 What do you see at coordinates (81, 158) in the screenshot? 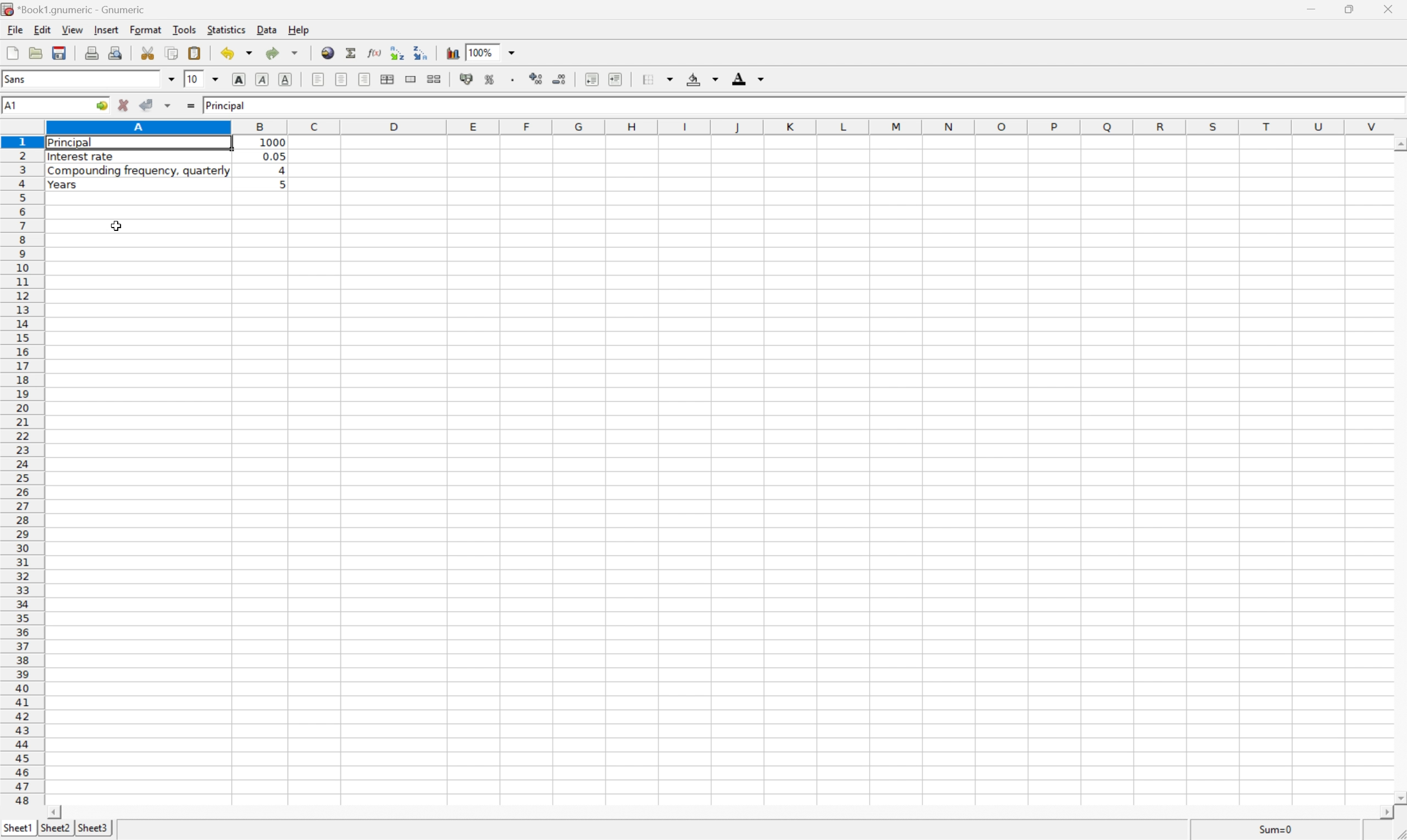
I see `interest rate` at bounding box center [81, 158].